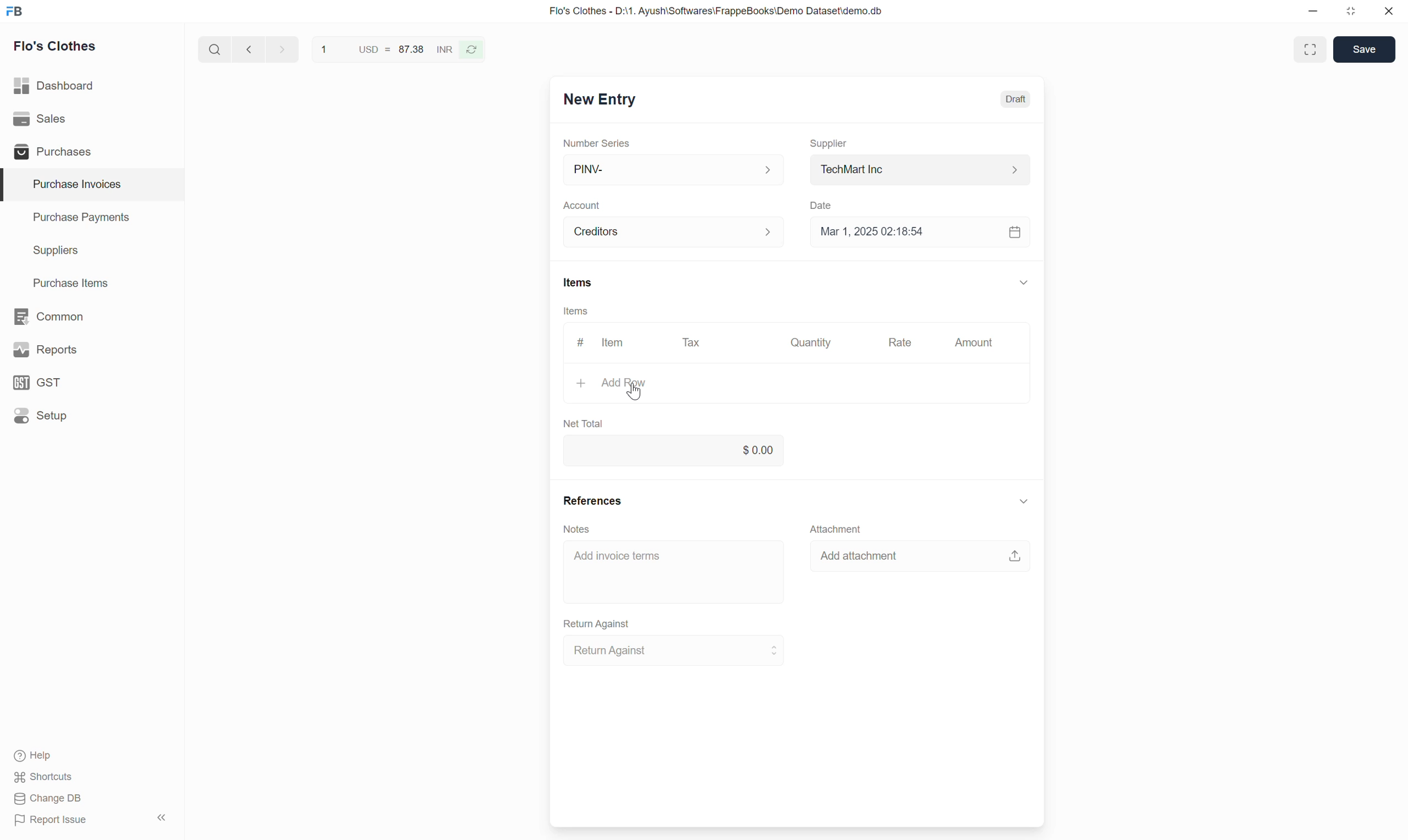 The width and height of the screenshot is (1408, 840). I want to click on Number Series, so click(597, 143).